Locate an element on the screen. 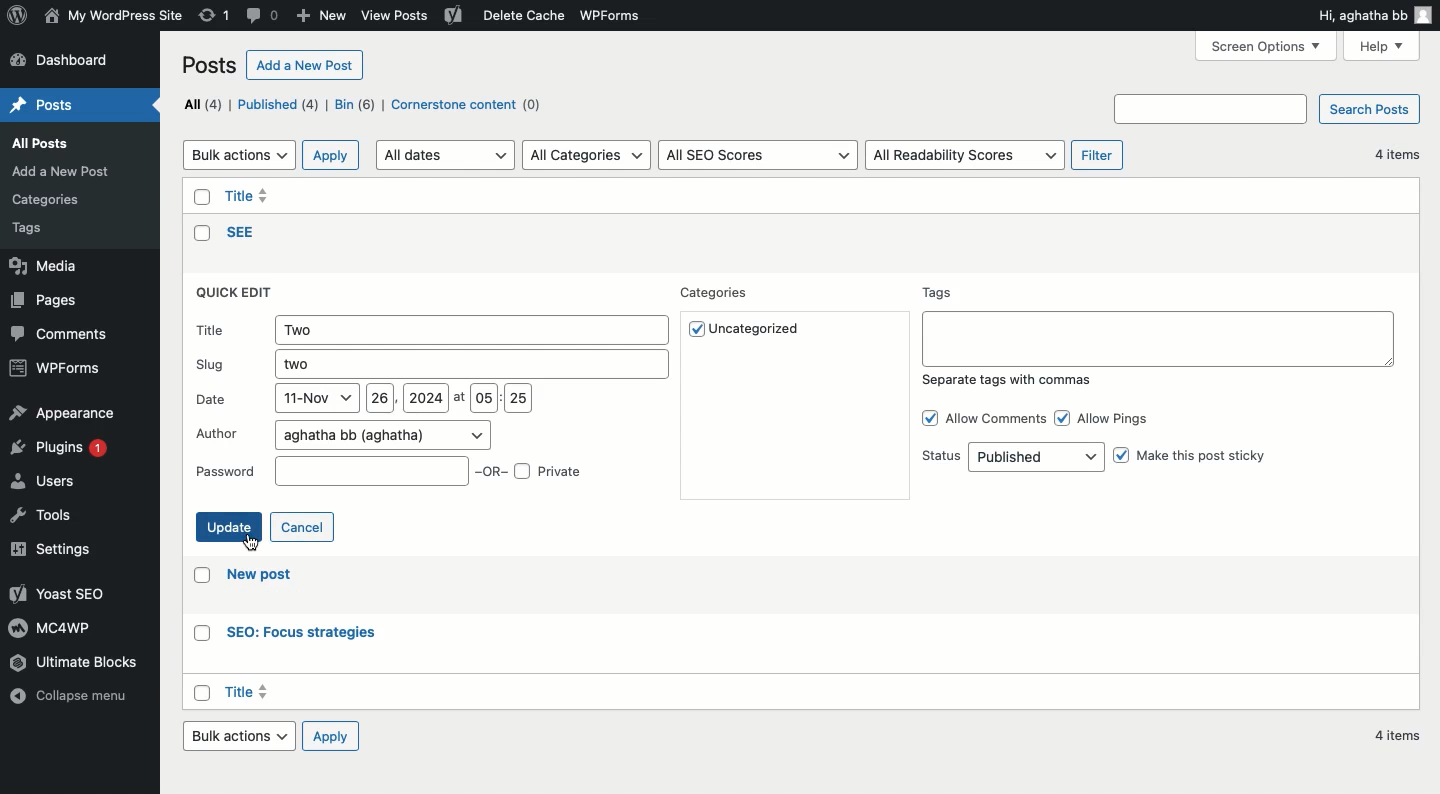 Image resolution: width=1440 pixels, height=794 pixels. Comments is located at coordinates (63, 334).